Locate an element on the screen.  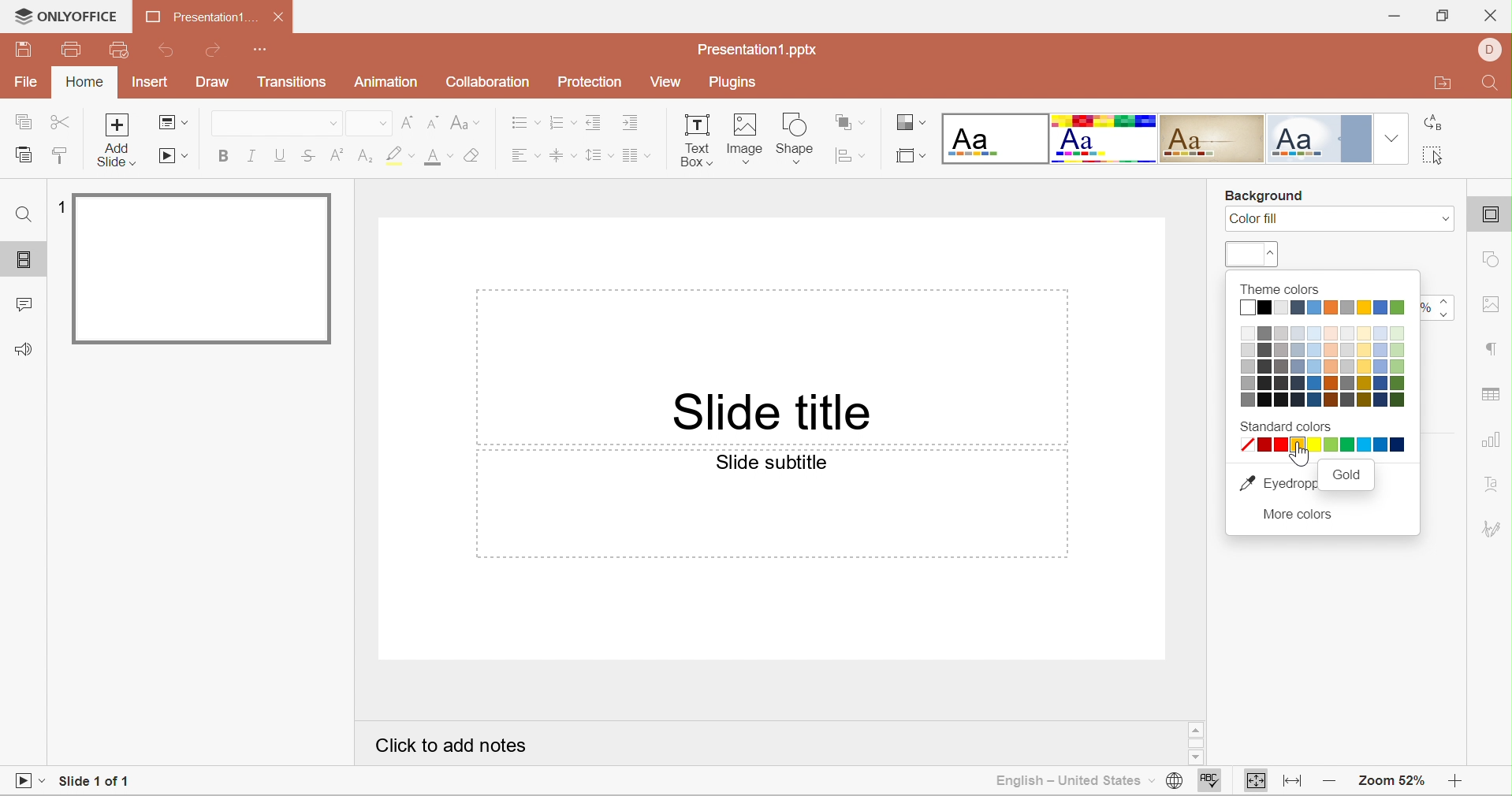
Scroll Down is located at coordinates (1454, 760).